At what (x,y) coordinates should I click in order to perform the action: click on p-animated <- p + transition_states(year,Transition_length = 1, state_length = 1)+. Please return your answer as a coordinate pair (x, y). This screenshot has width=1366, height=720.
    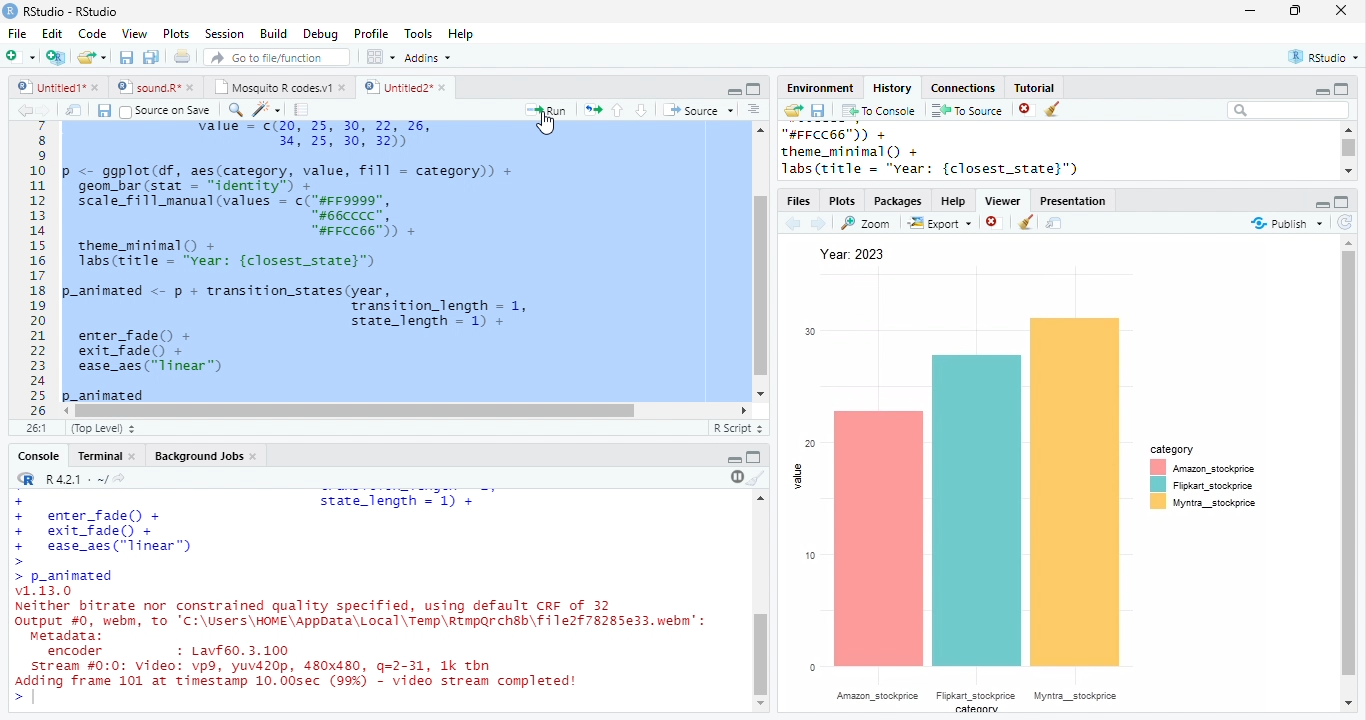
    Looking at the image, I should click on (304, 304).